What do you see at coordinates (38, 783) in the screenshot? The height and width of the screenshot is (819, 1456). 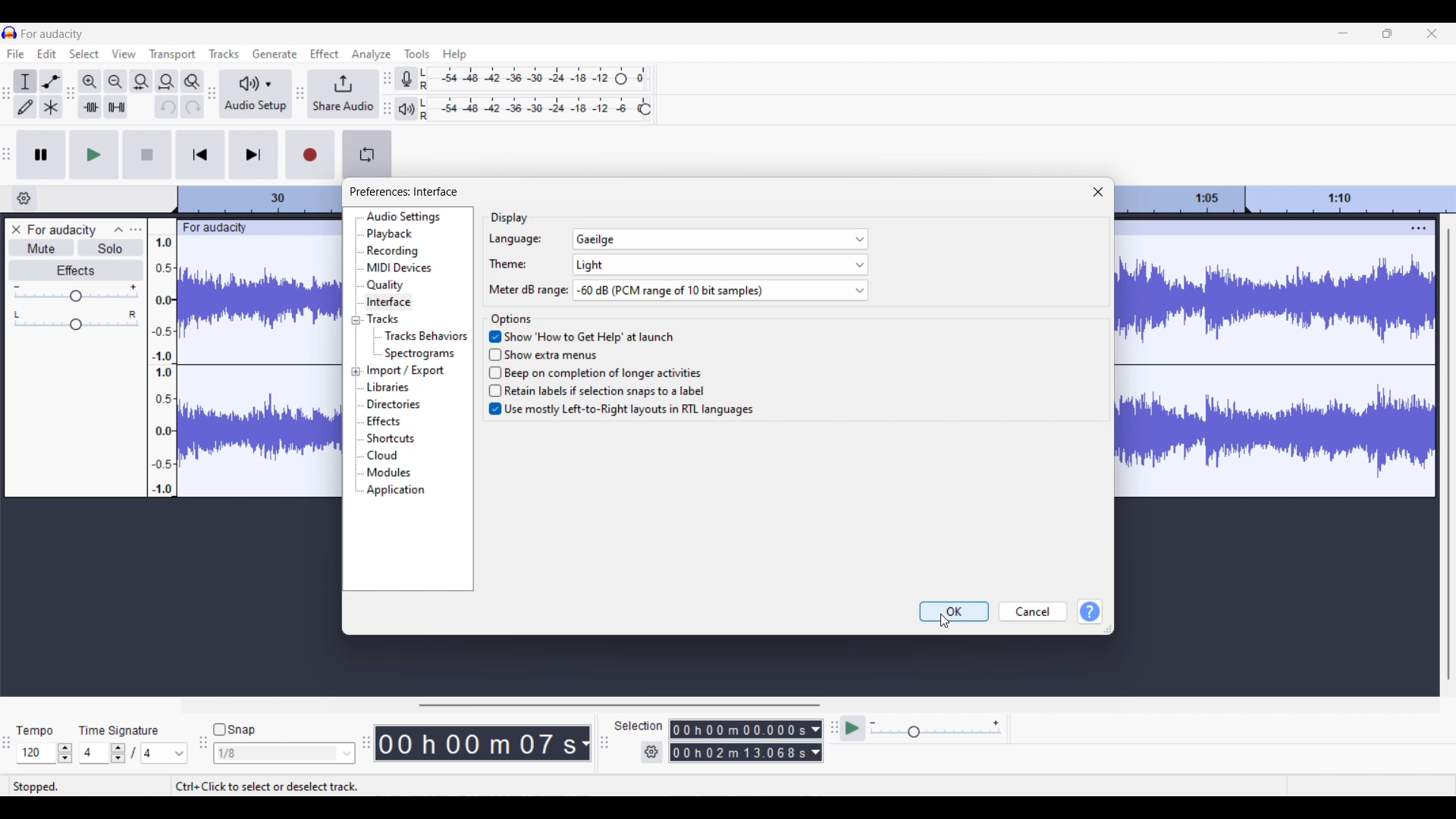 I see `stopped` at bounding box center [38, 783].